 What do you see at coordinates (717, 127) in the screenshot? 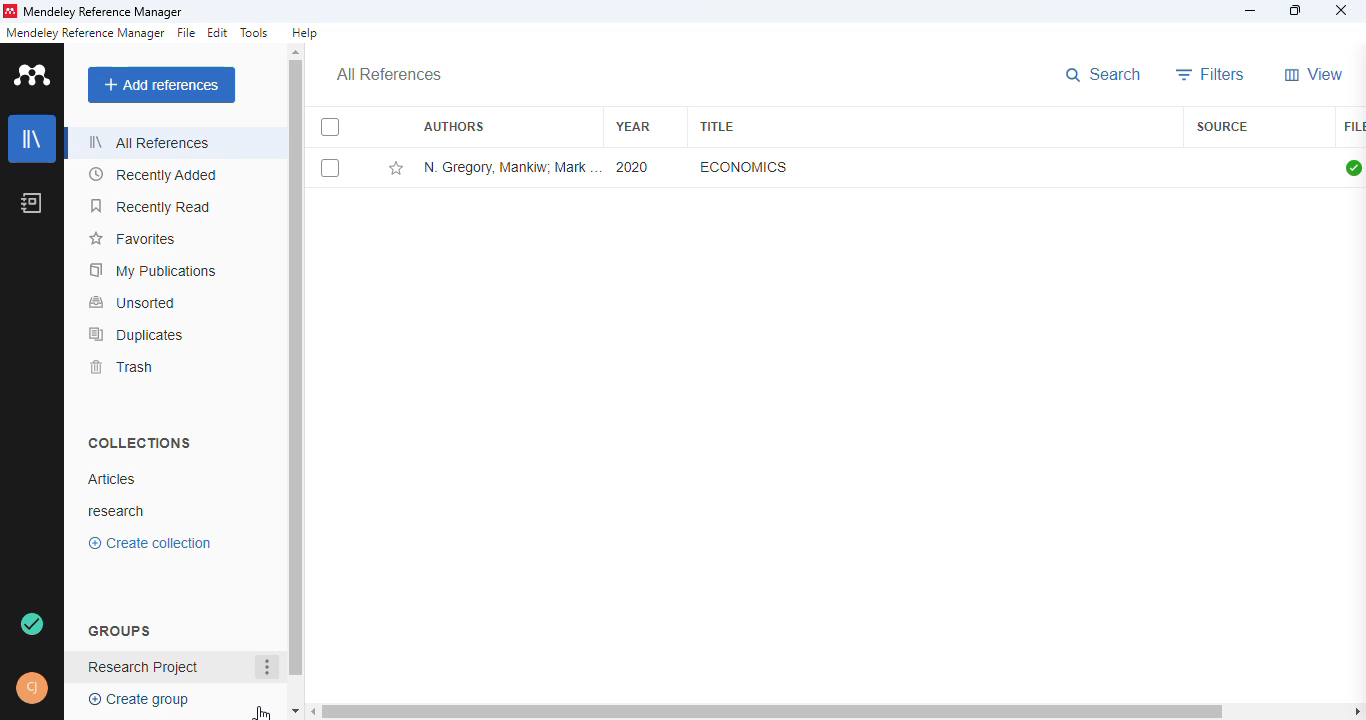
I see `title` at bounding box center [717, 127].